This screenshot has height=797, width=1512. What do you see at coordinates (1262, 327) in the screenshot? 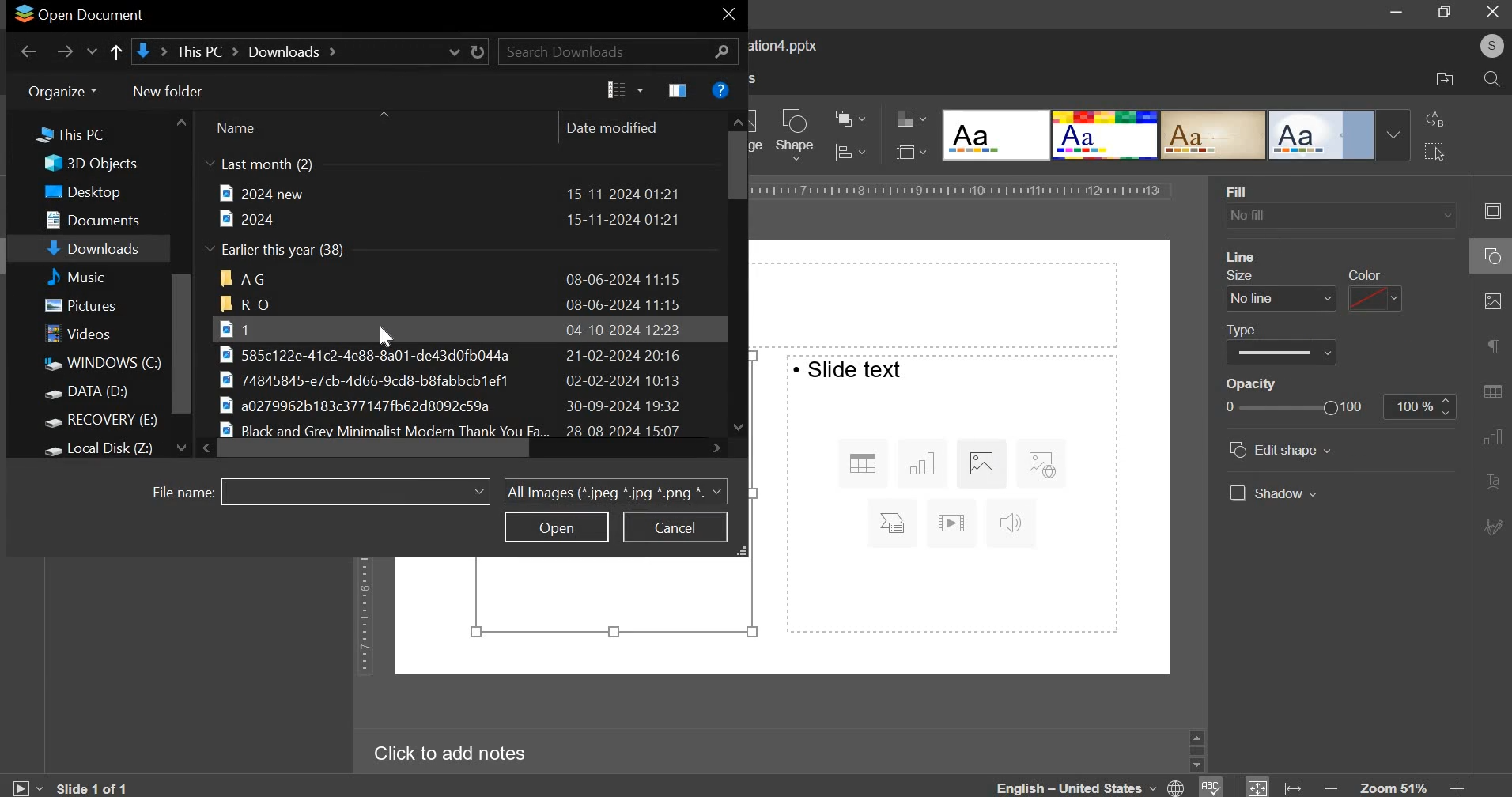
I see `` at bounding box center [1262, 327].